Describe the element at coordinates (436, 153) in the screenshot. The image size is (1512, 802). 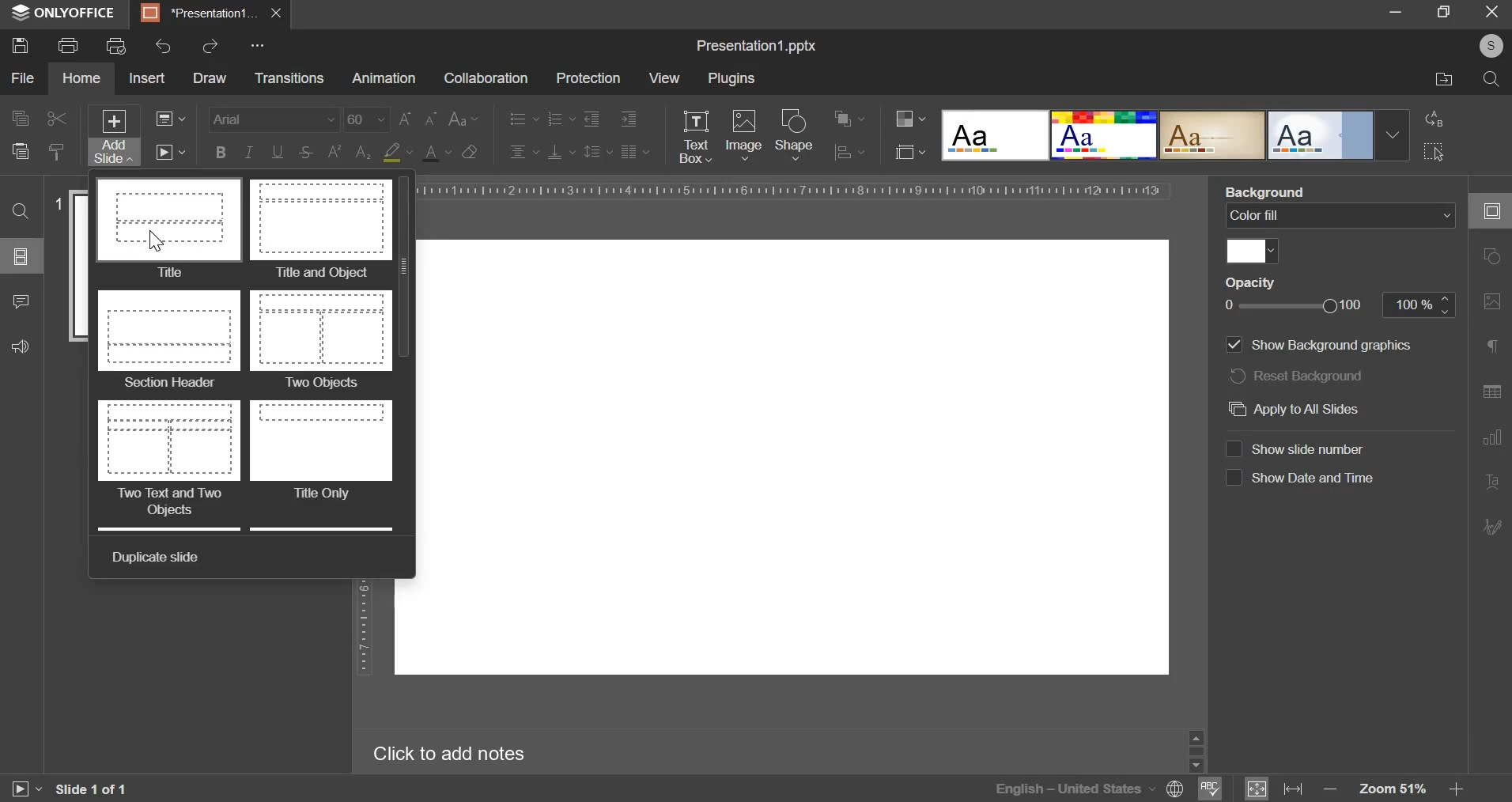
I see `text color` at that location.